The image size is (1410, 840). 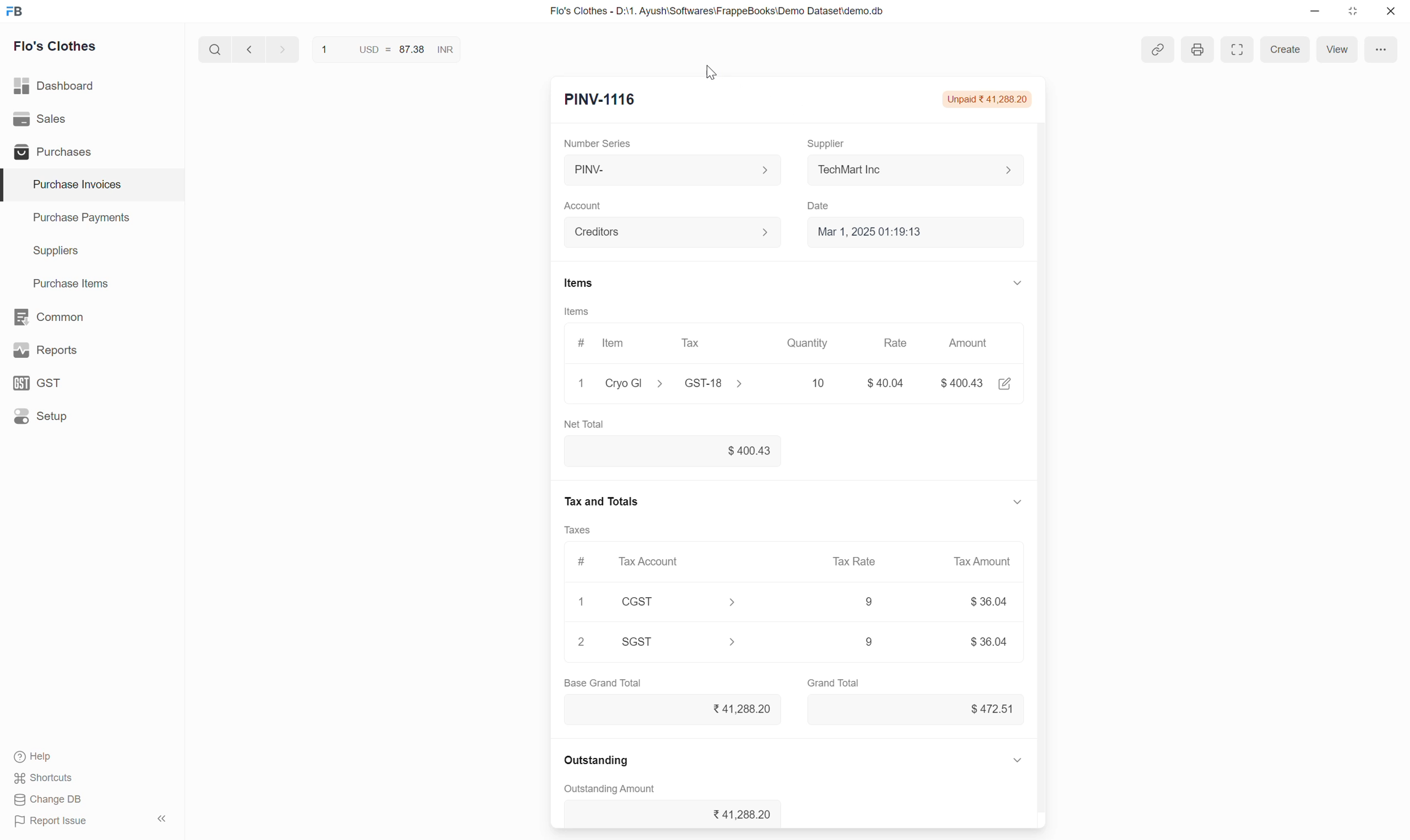 What do you see at coordinates (670, 170) in the screenshot?
I see `PINV-` at bounding box center [670, 170].